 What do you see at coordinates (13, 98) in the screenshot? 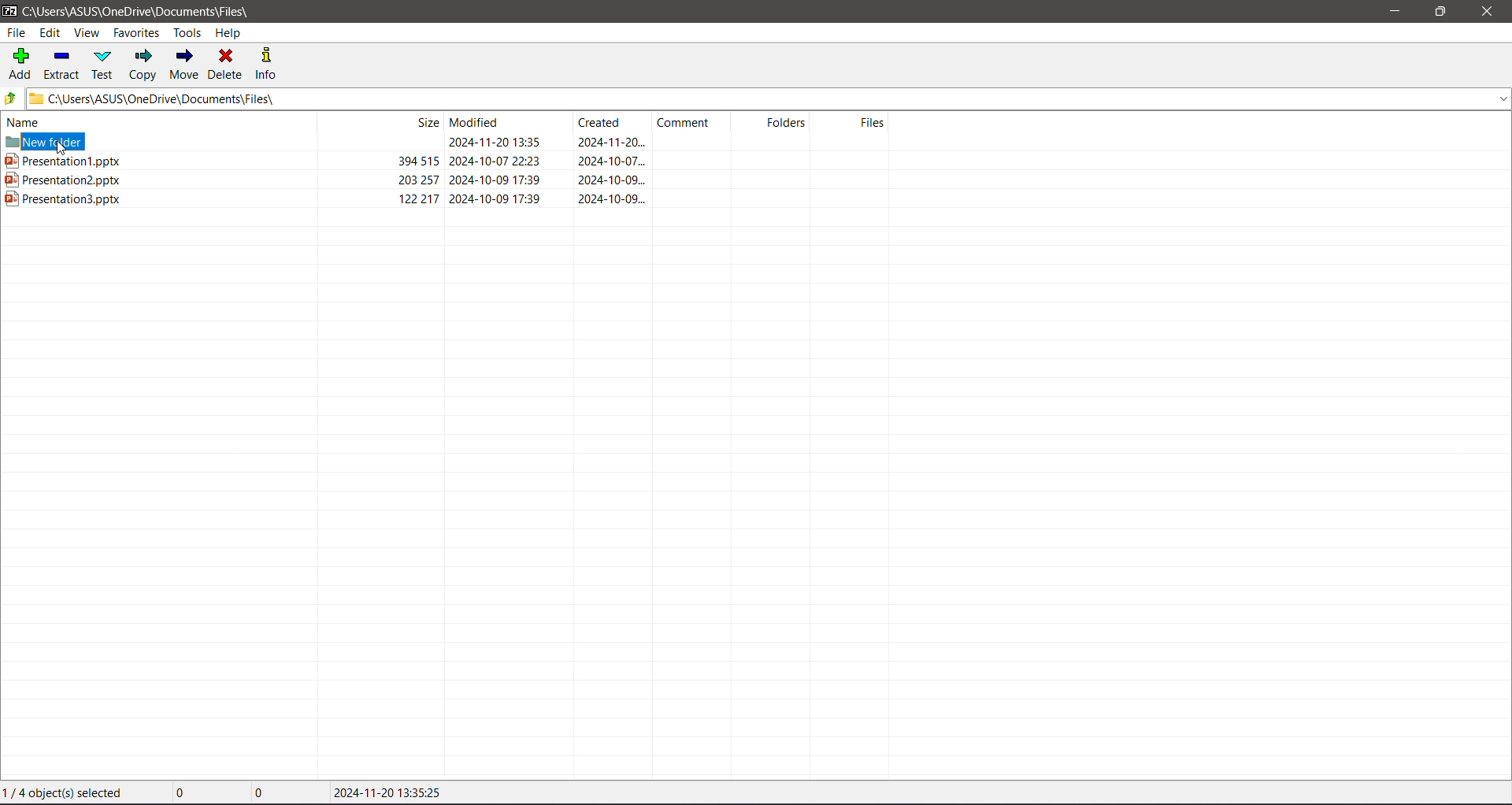
I see `Move Up one level` at bounding box center [13, 98].